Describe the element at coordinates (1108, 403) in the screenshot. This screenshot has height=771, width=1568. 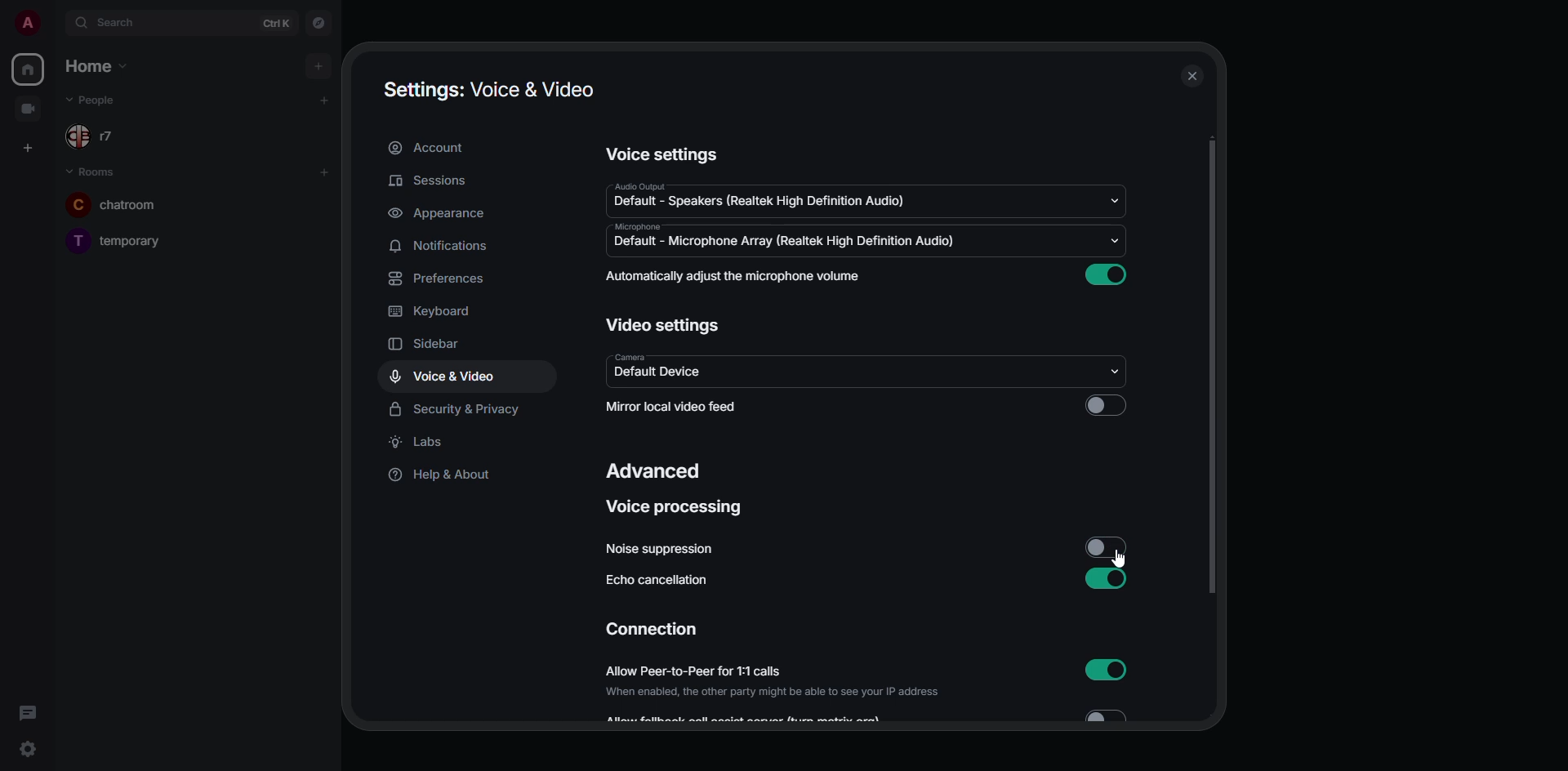
I see `click to enable` at that location.